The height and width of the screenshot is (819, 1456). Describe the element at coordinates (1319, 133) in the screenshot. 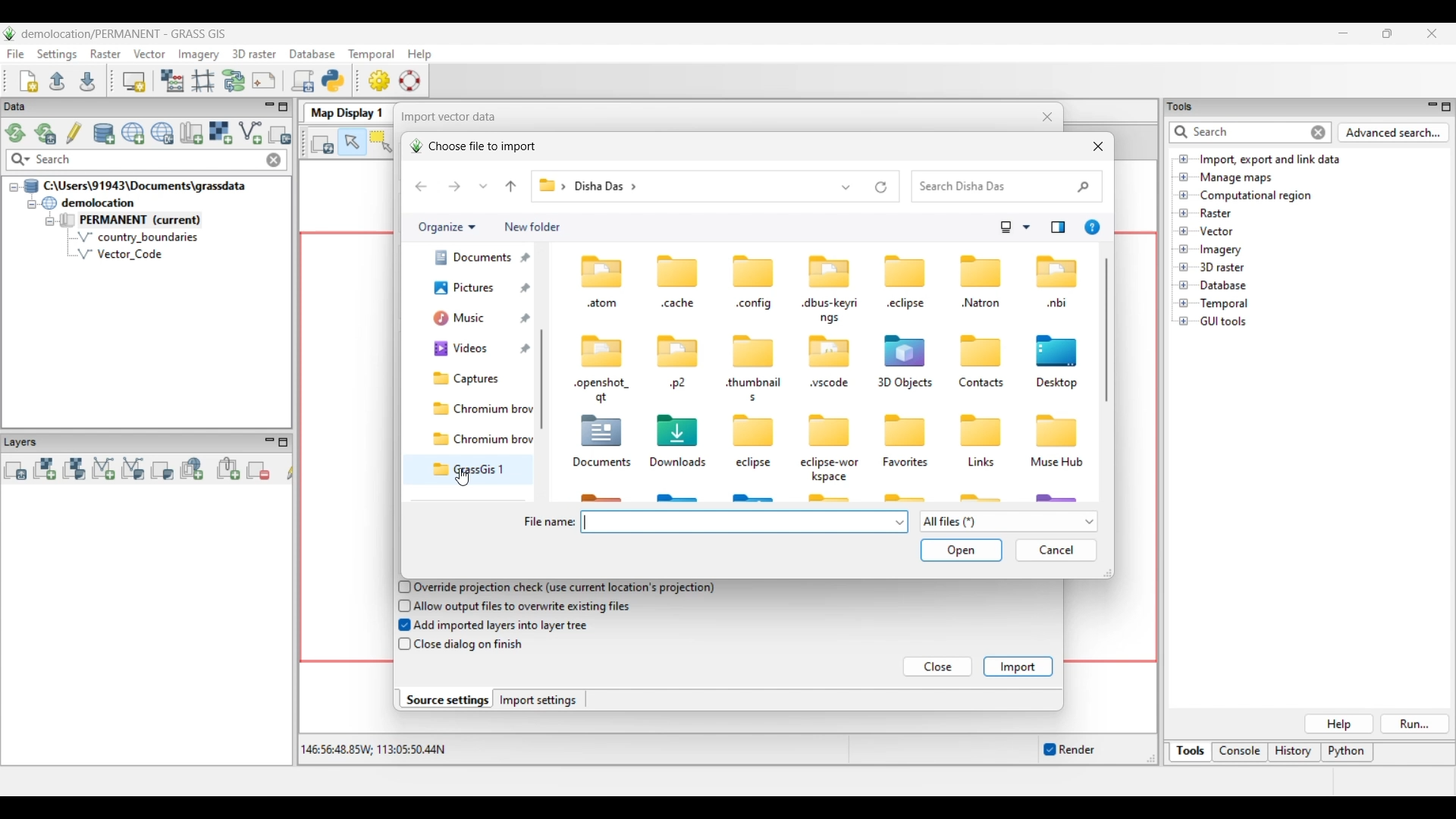

I see `Close input for quick search` at that location.